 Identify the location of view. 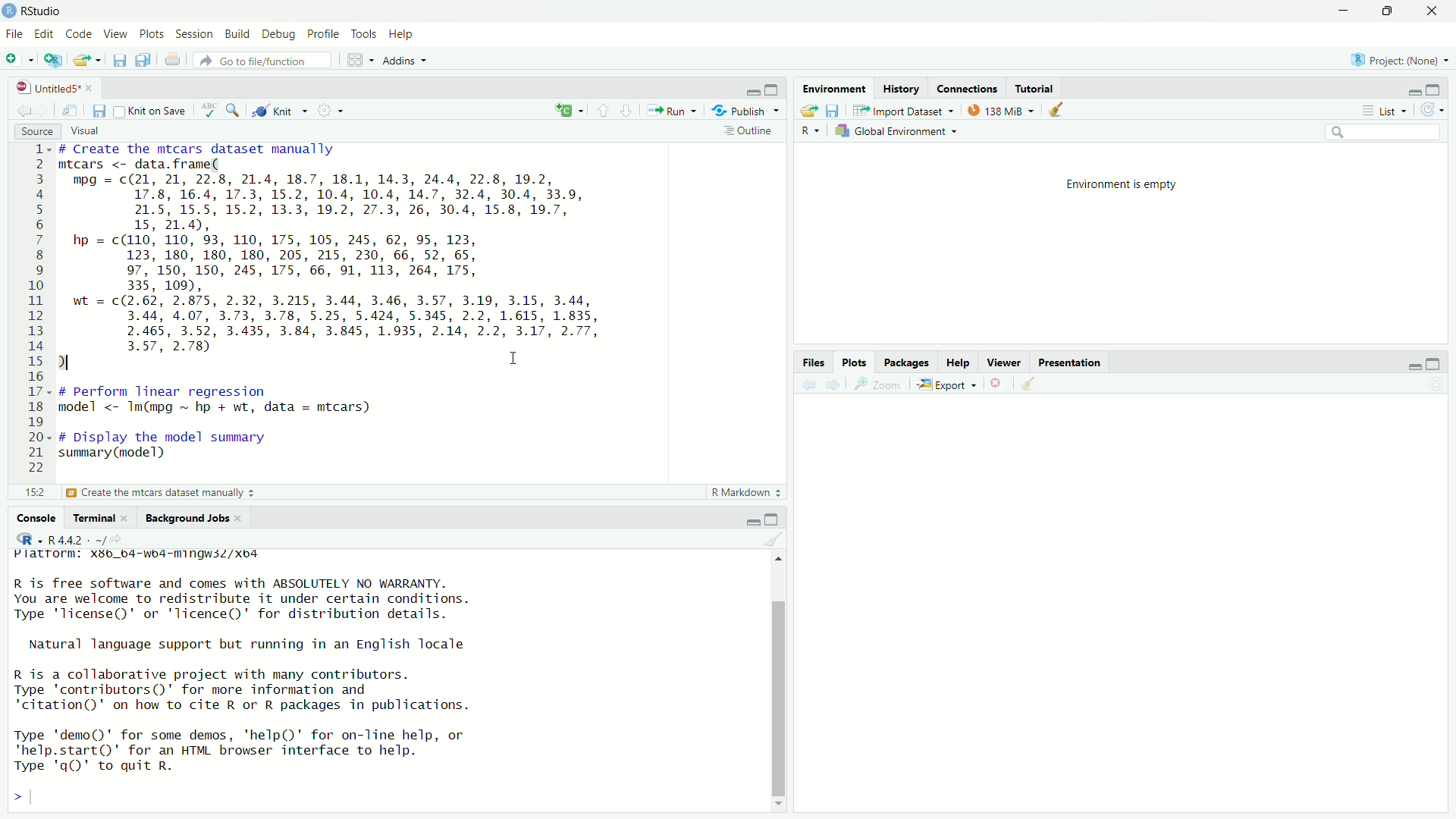
(117, 34).